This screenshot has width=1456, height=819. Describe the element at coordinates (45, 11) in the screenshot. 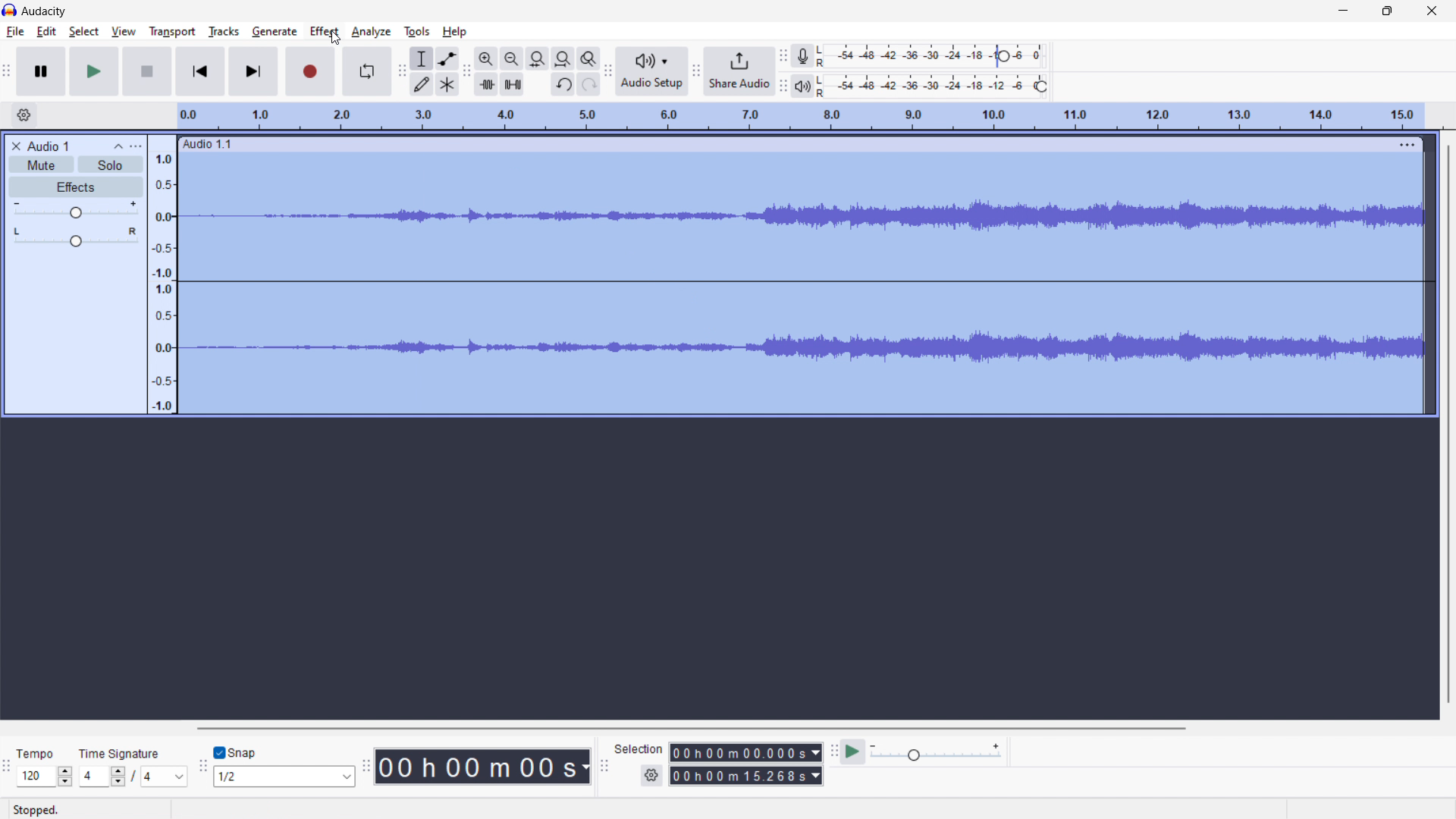

I see `title` at that location.